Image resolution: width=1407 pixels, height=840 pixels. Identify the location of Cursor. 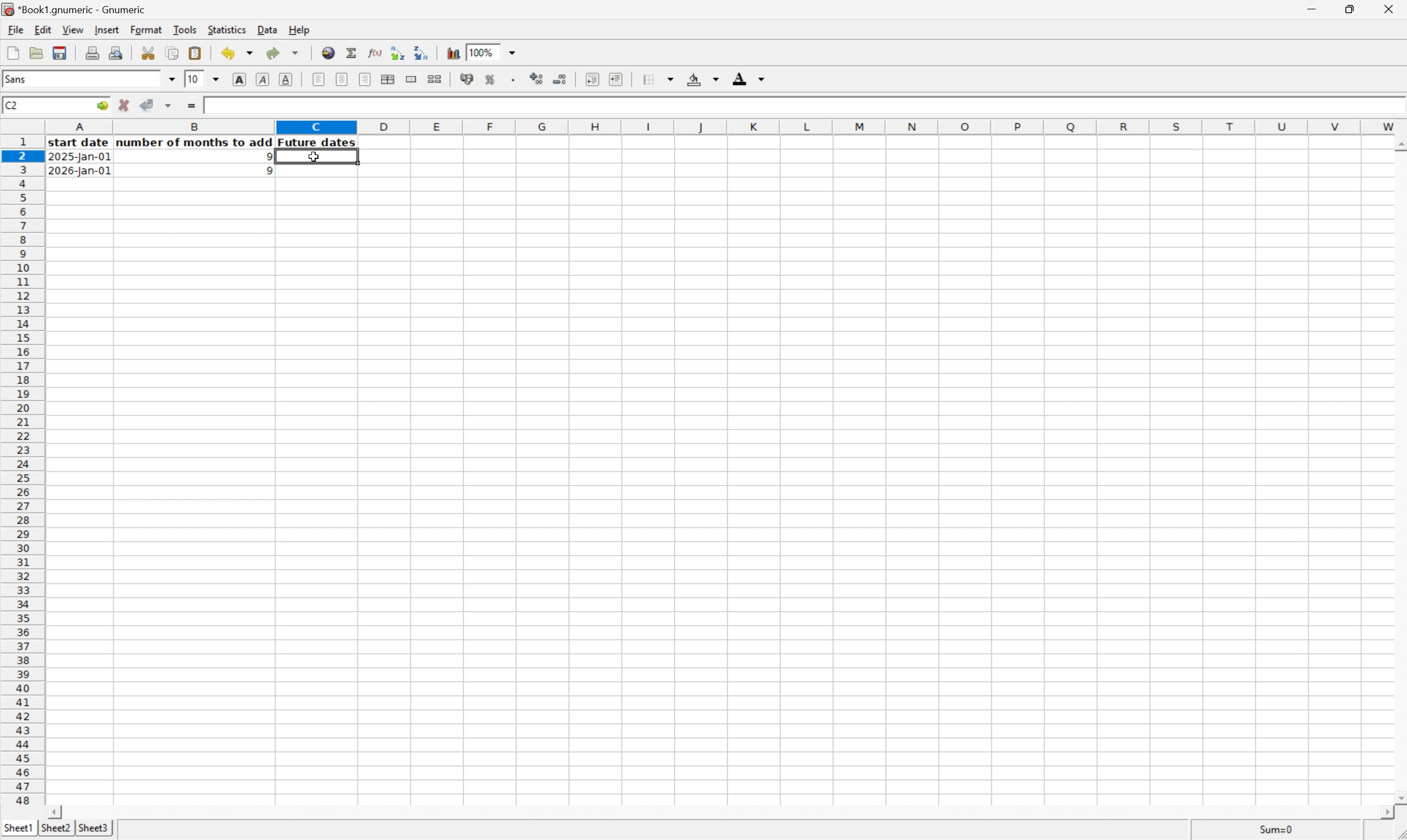
(316, 157).